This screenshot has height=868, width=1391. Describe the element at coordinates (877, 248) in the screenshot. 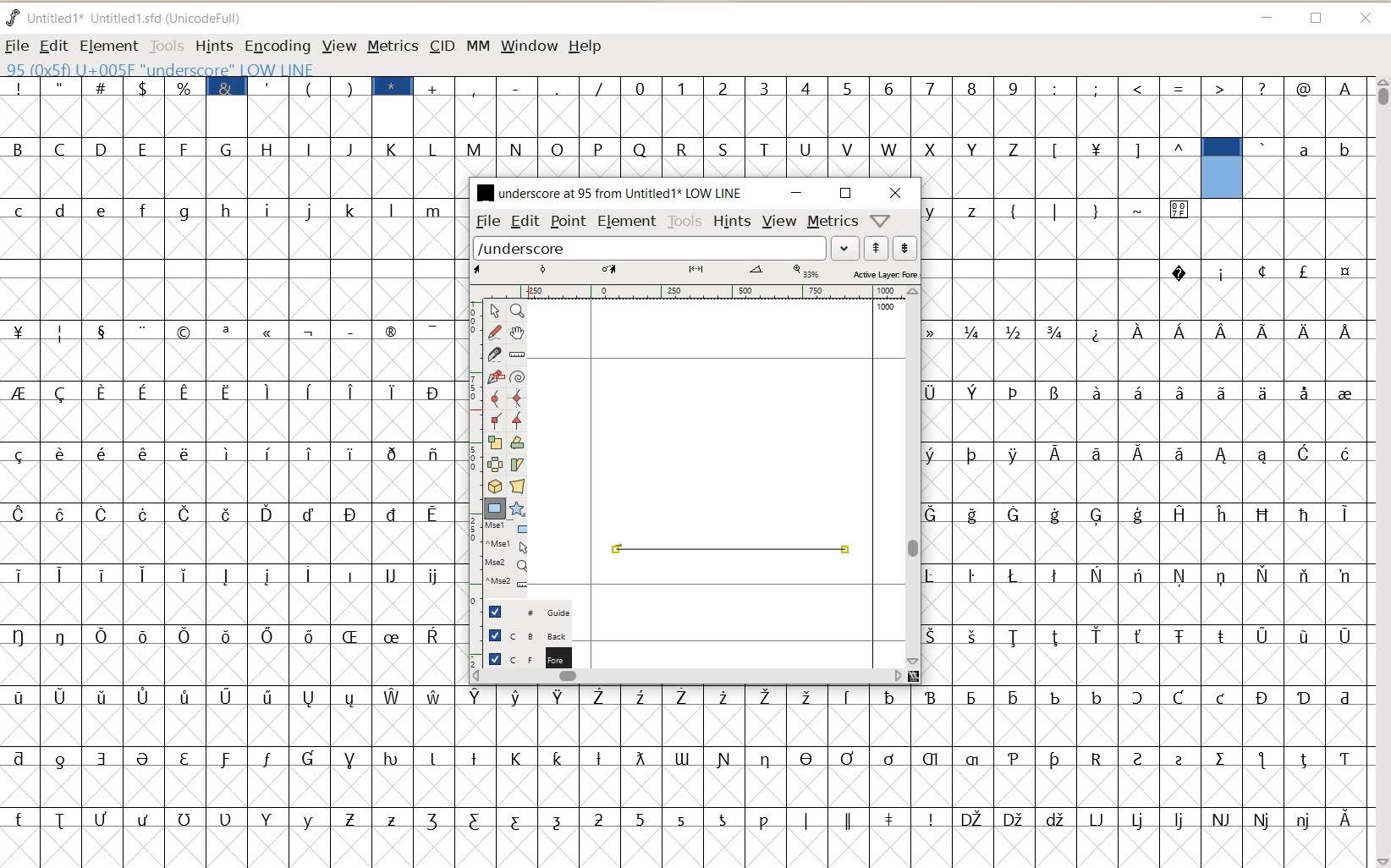

I see `show previous word list` at that location.